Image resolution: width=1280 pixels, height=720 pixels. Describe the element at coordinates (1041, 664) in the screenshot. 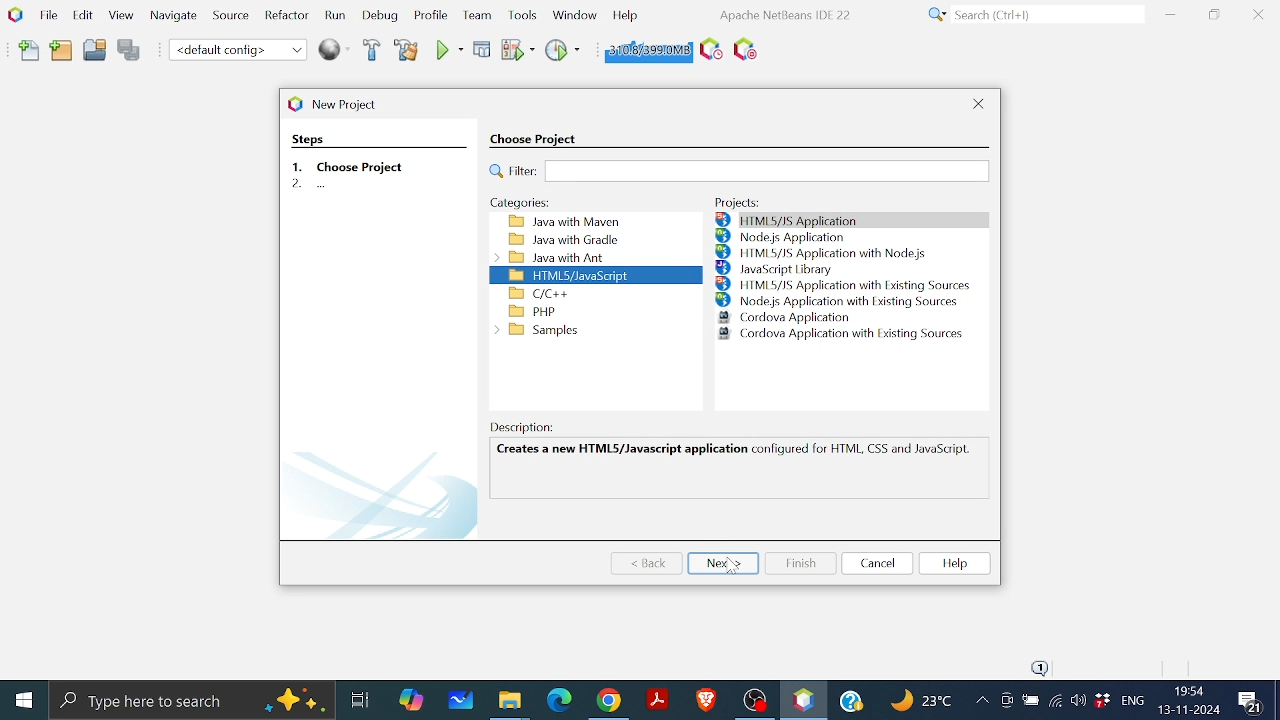

I see `notifications` at that location.